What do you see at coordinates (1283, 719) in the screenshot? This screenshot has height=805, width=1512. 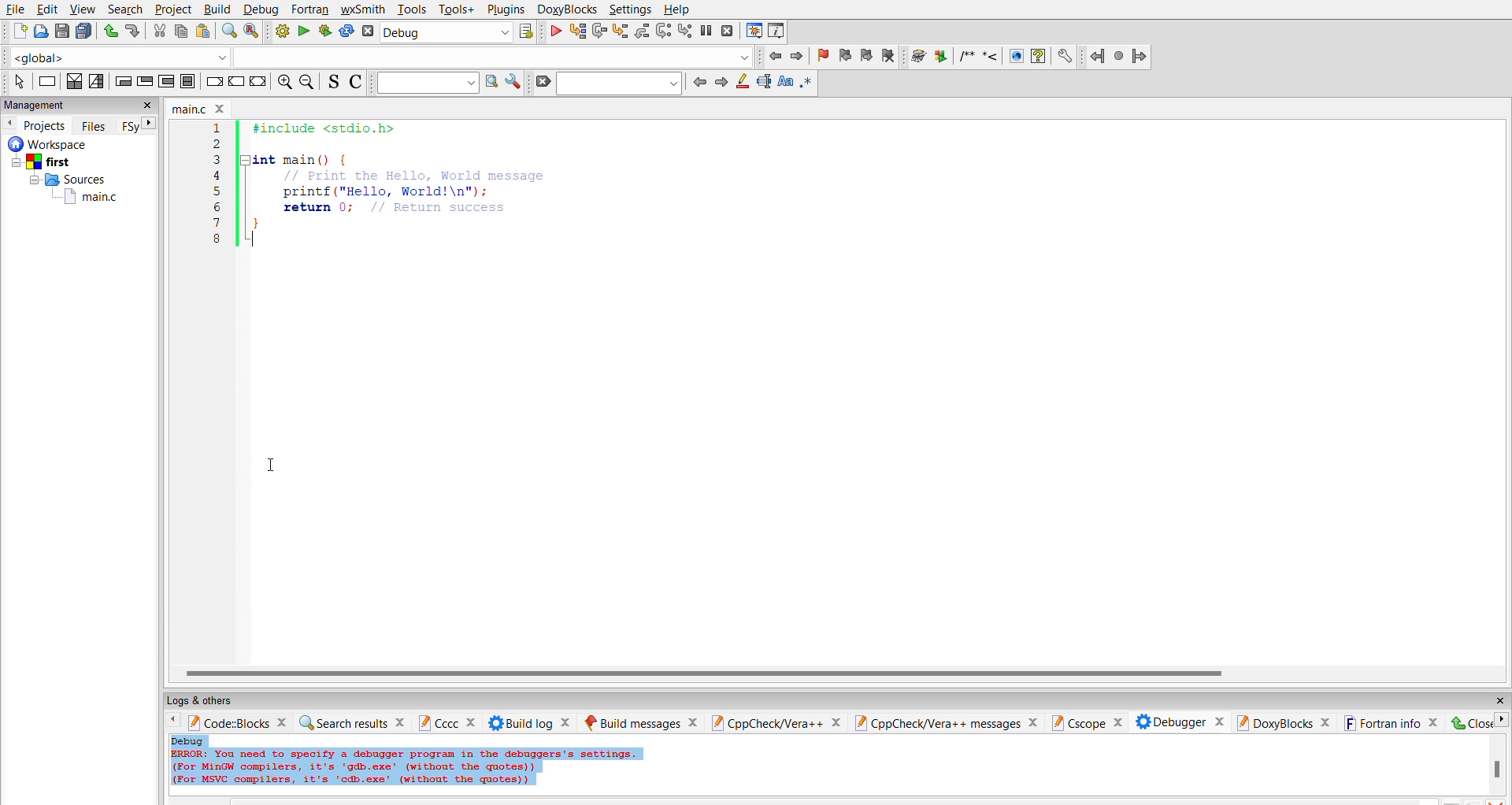 I see `doxyblocks` at bounding box center [1283, 719].